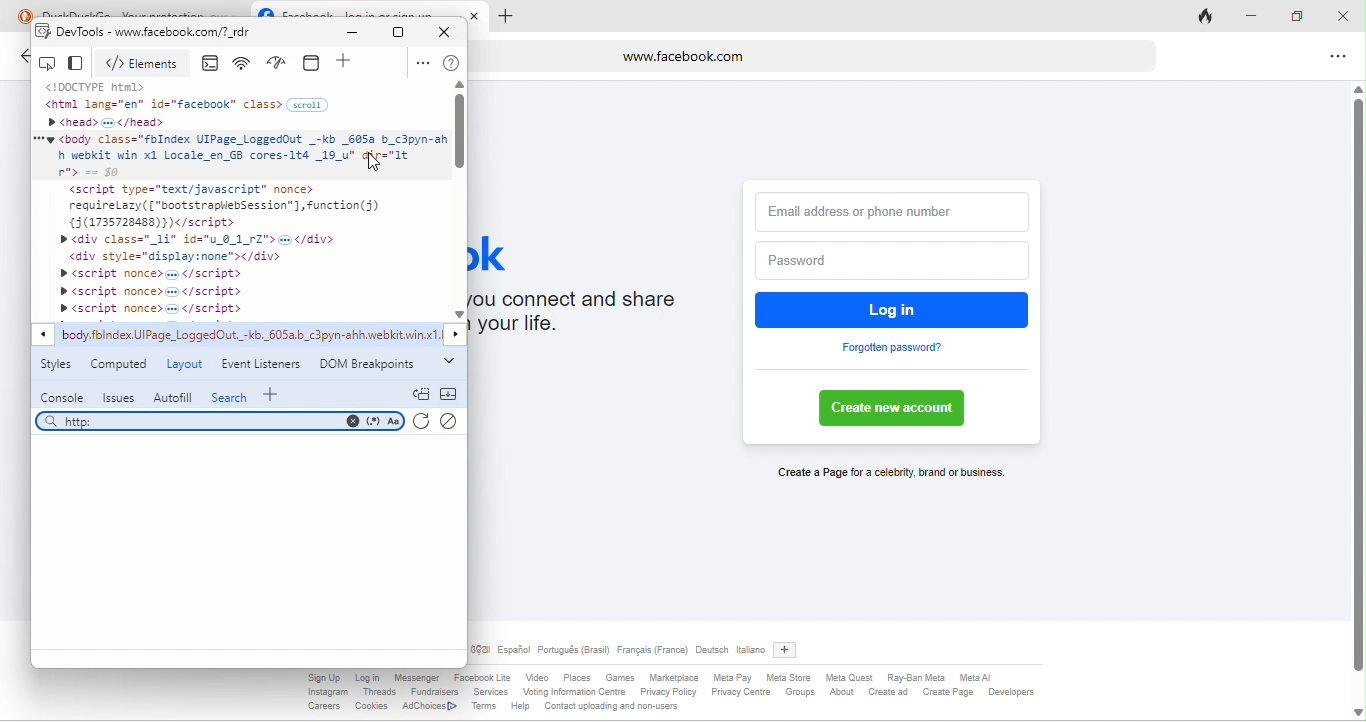 The width and height of the screenshot is (1366, 722). I want to click on dropdown, so click(448, 362).